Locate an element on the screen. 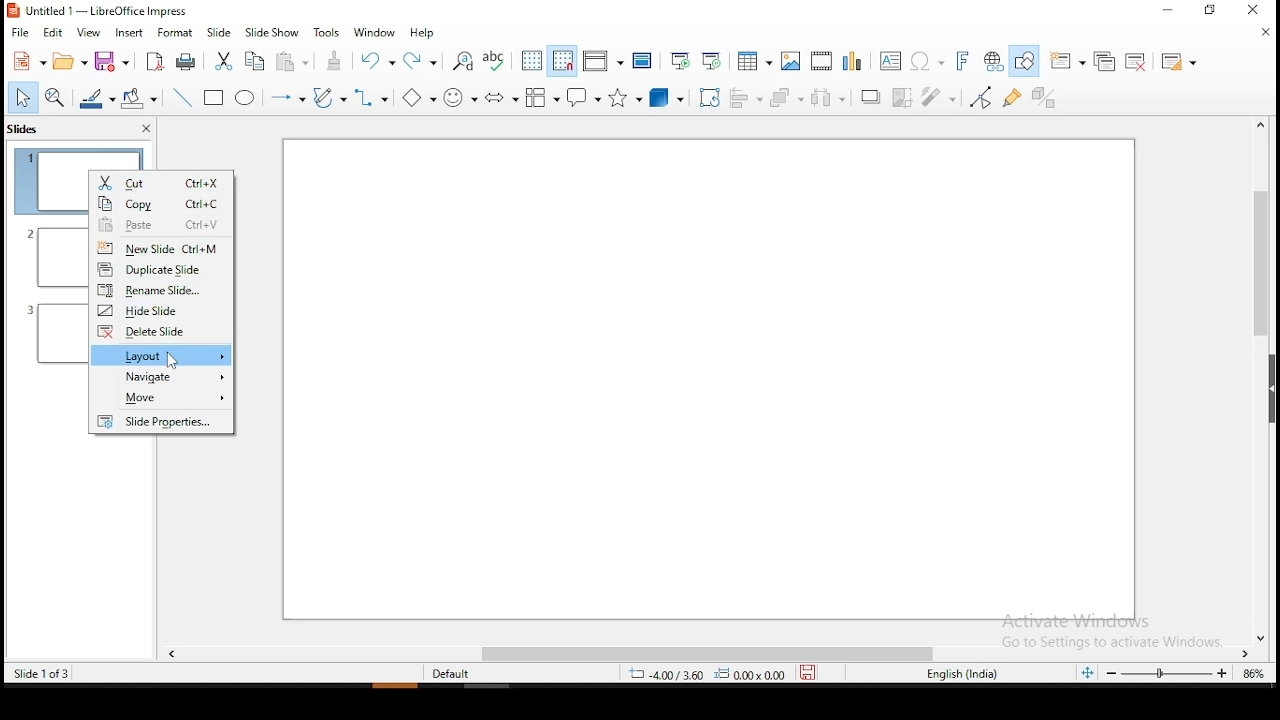 The image size is (1280, 720). duplicate slide is located at coordinates (163, 269).